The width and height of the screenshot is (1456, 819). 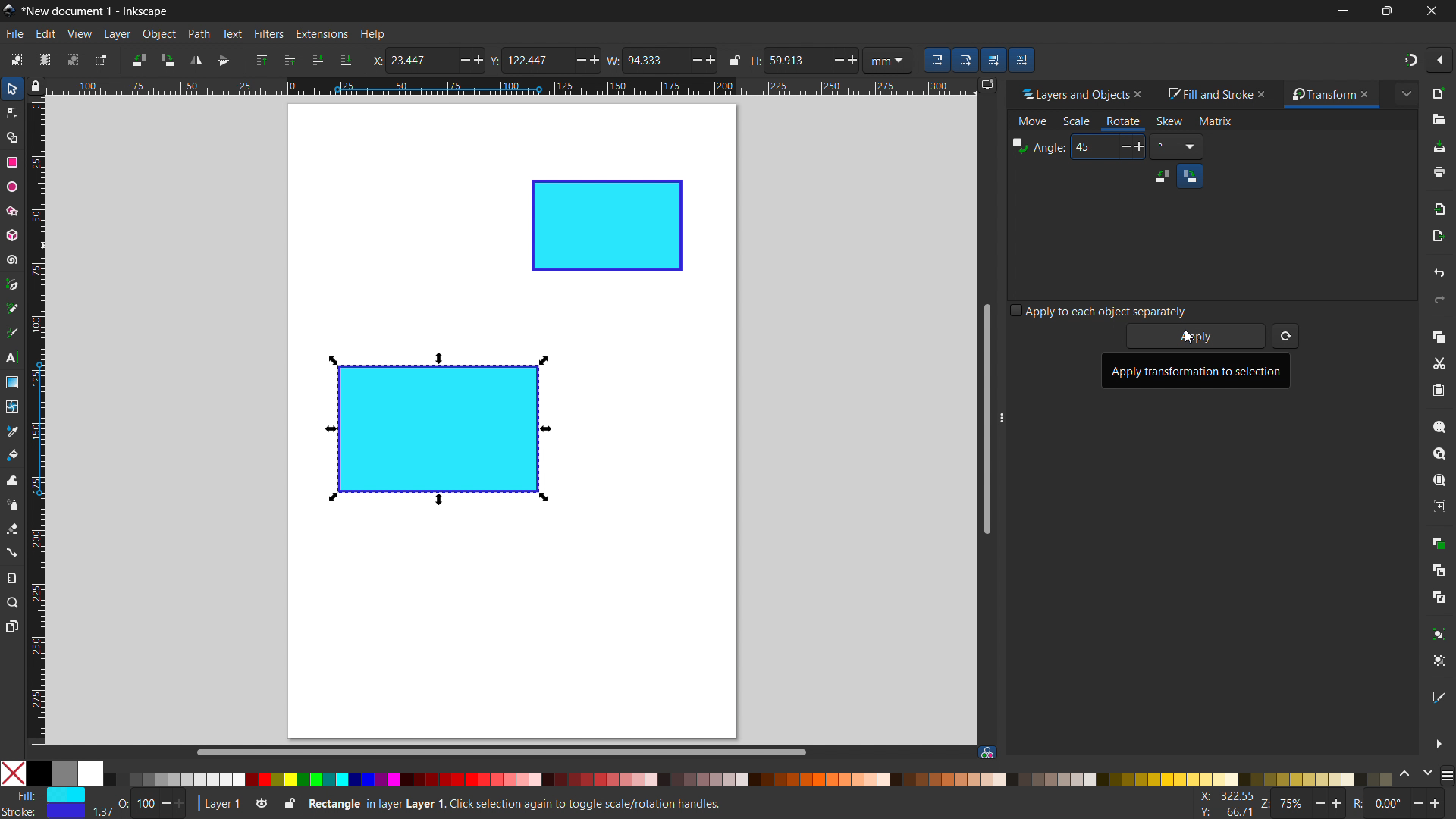 What do you see at coordinates (1384, 11) in the screenshot?
I see `maximize` at bounding box center [1384, 11].